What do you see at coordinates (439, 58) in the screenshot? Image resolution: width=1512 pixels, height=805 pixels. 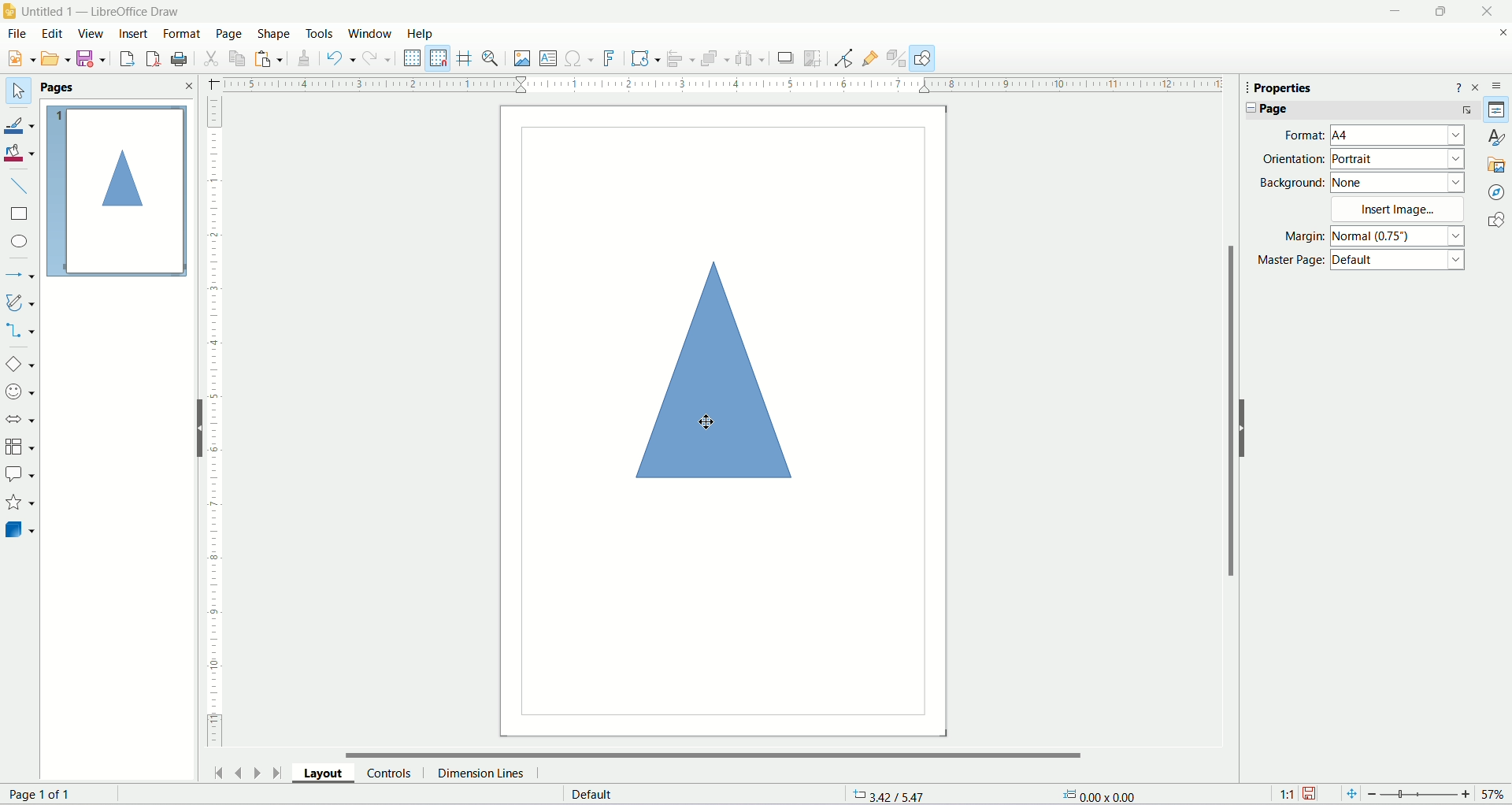 I see `Snap to grid` at bounding box center [439, 58].